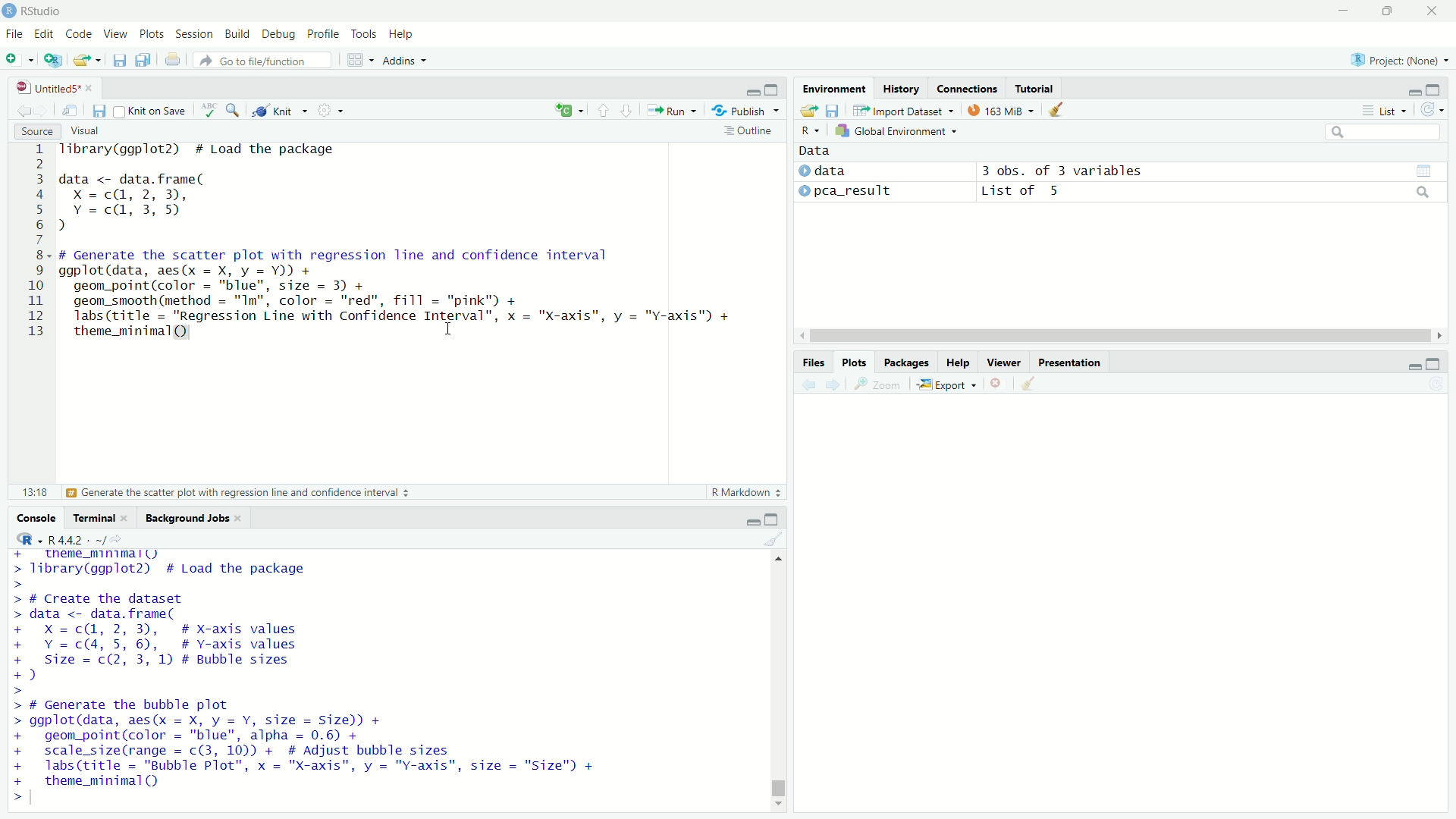  I want to click on Go to file/function, so click(262, 61).